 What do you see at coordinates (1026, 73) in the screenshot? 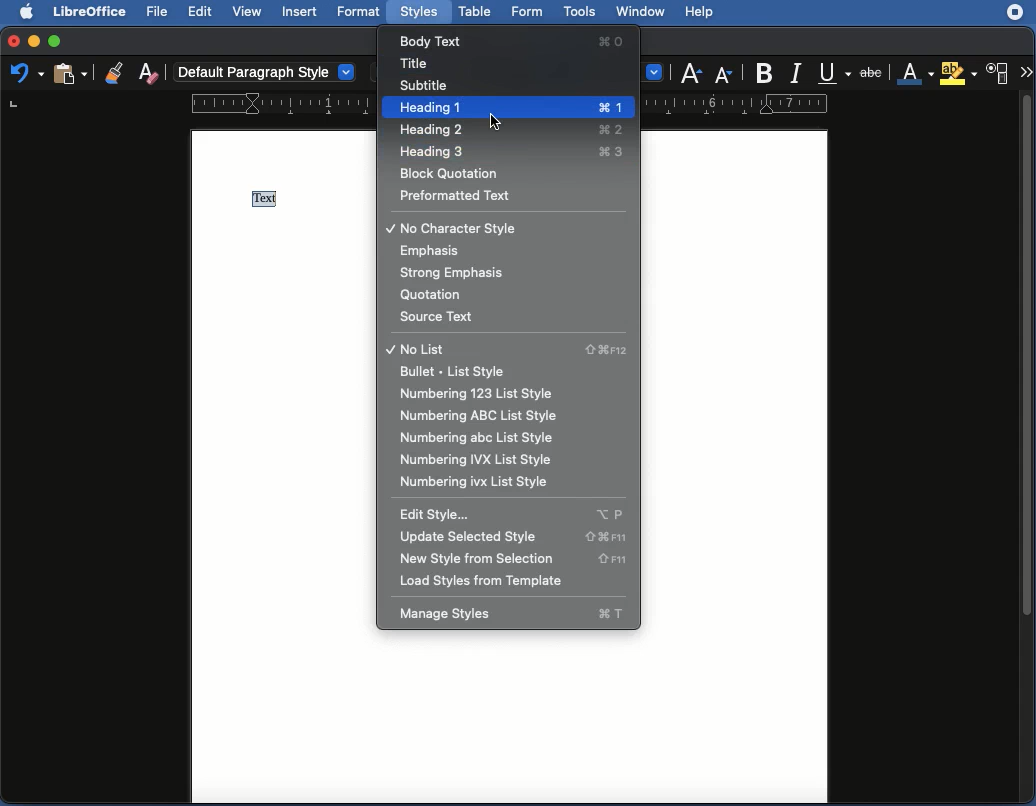
I see `More` at bounding box center [1026, 73].